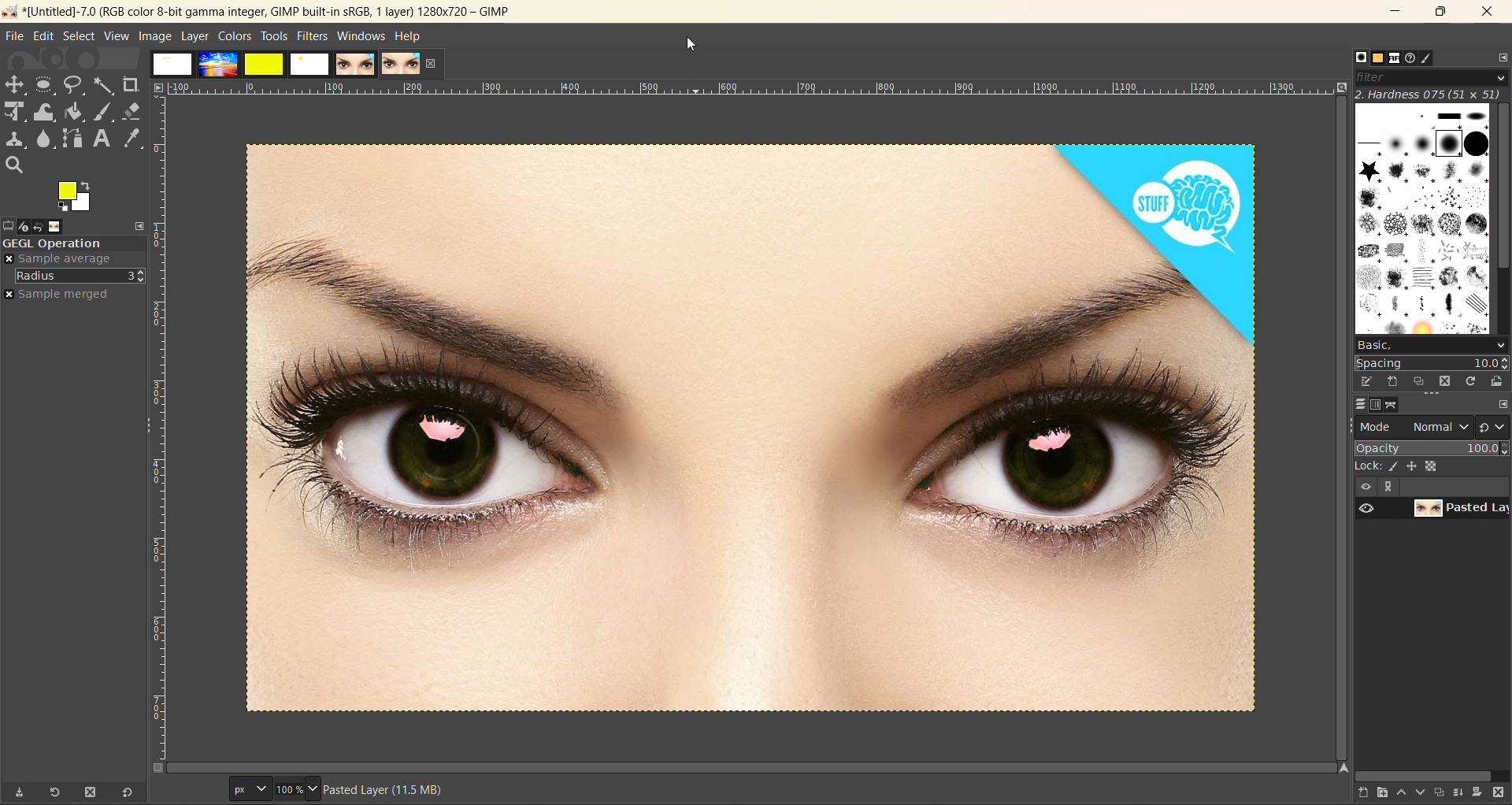 The image size is (1512, 805). What do you see at coordinates (284, 65) in the screenshot?
I see `images` at bounding box center [284, 65].